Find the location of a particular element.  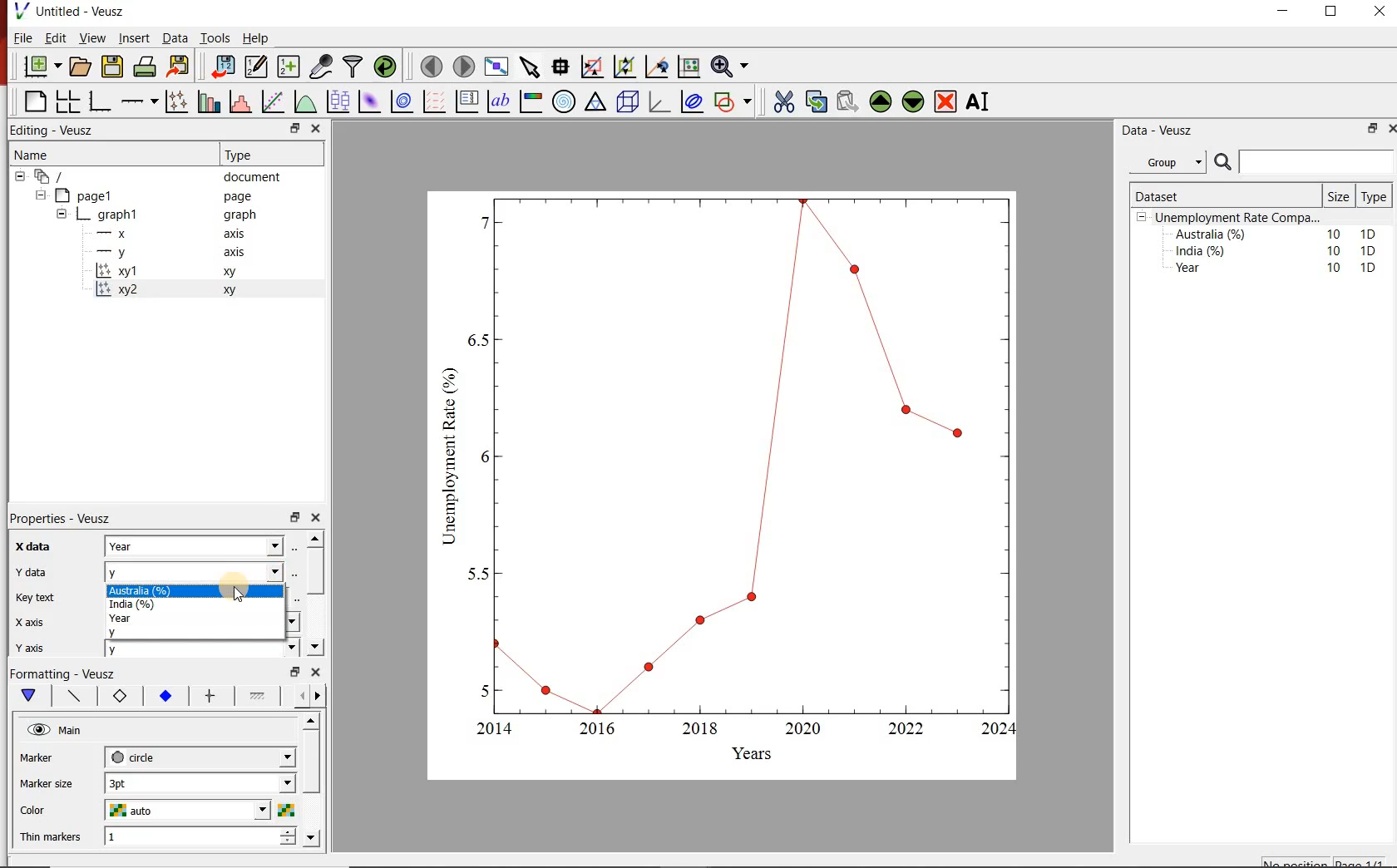

bar graphs is located at coordinates (207, 101).